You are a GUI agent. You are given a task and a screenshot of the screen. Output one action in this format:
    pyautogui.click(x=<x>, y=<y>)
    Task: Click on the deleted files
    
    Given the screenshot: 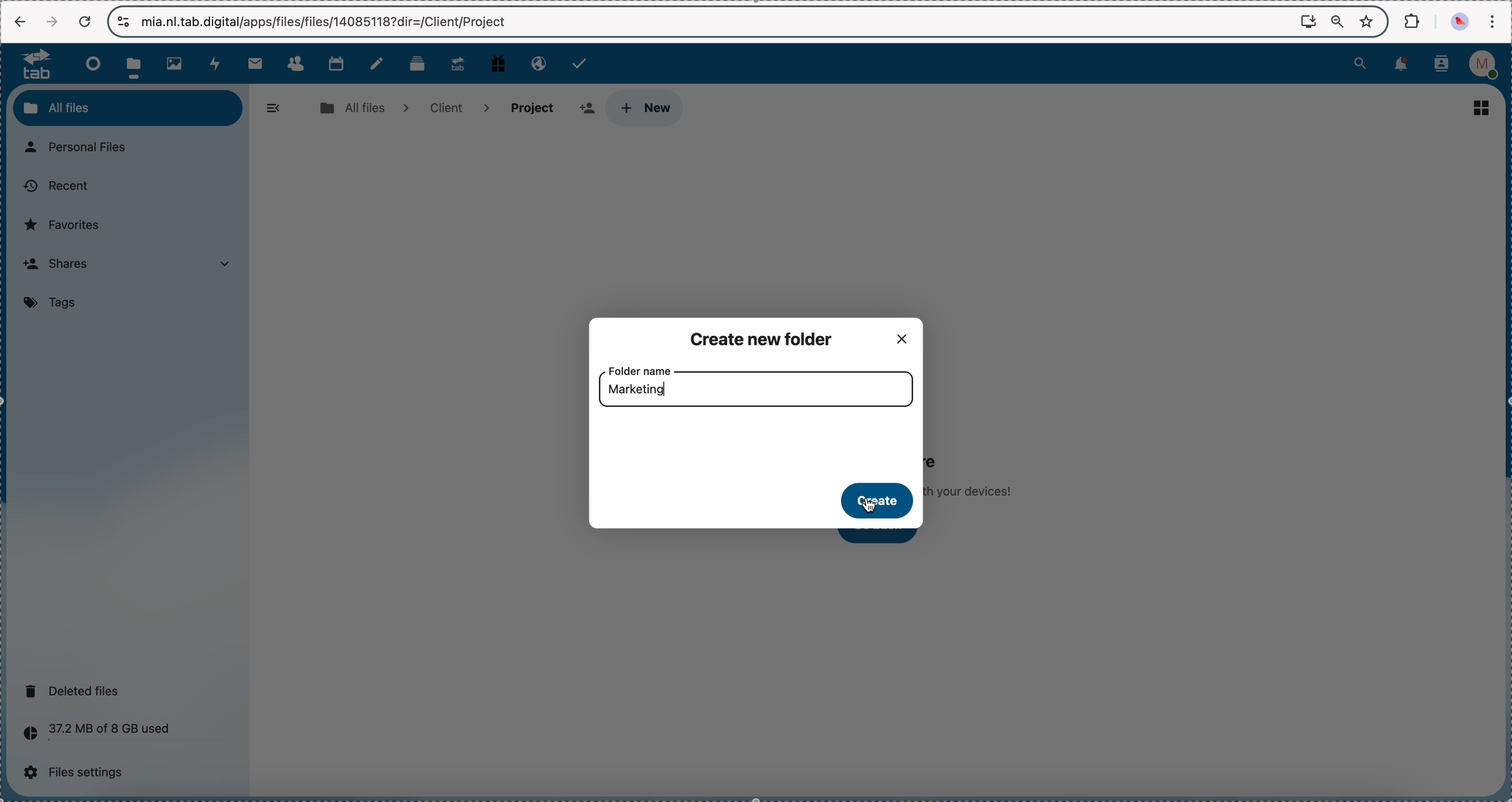 What is the action you would take?
    pyautogui.click(x=76, y=690)
    